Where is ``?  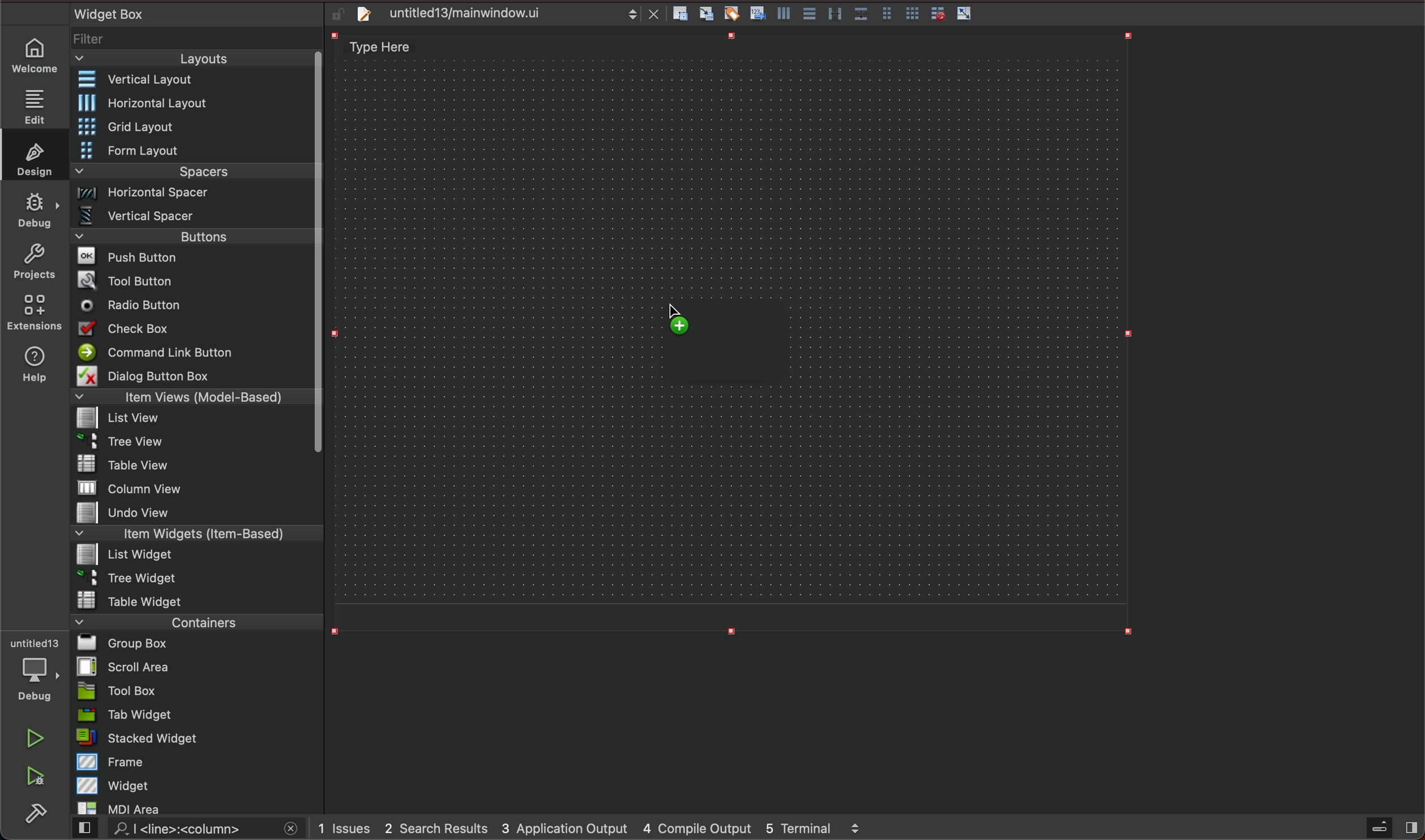
 is located at coordinates (707, 13).